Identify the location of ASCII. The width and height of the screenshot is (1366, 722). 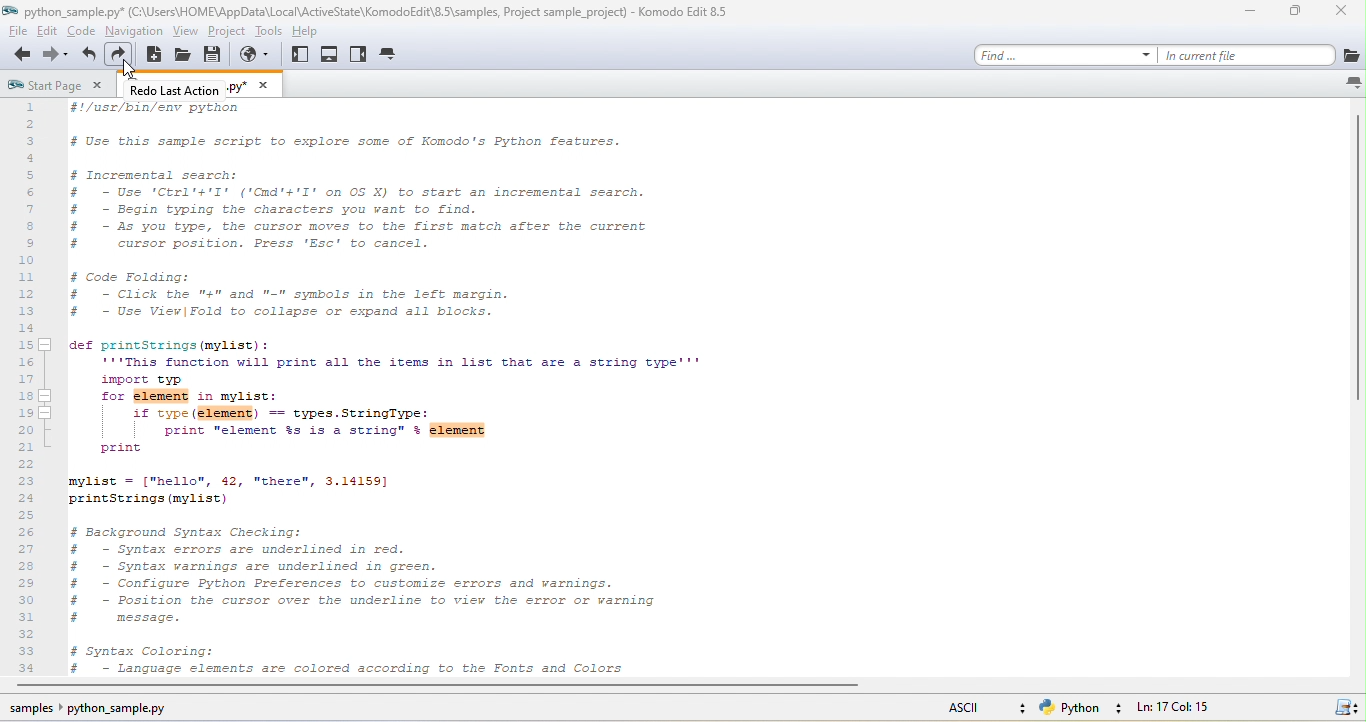
(955, 710).